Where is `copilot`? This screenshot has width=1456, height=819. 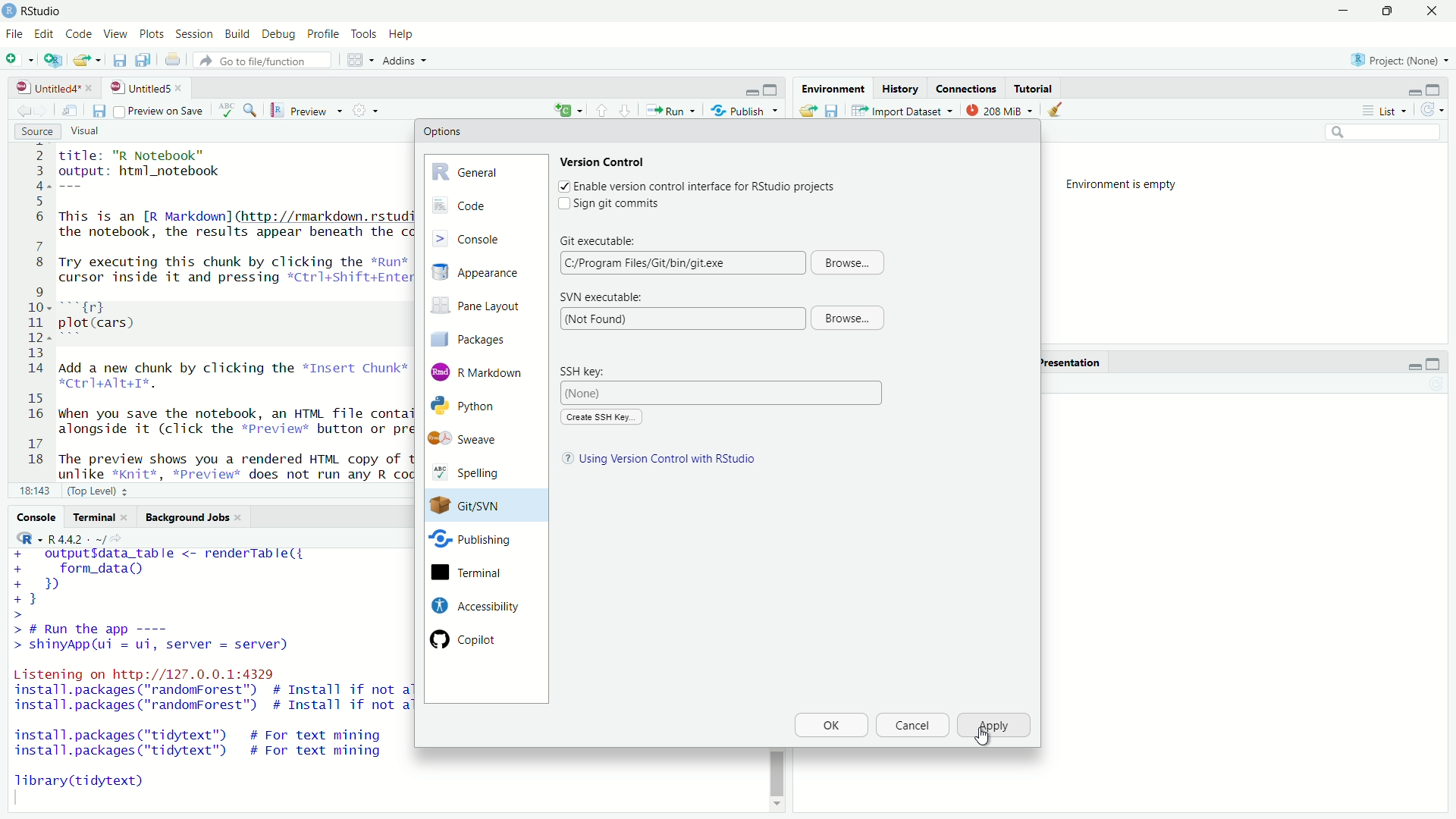
copilot is located at coordinates (476, 639).